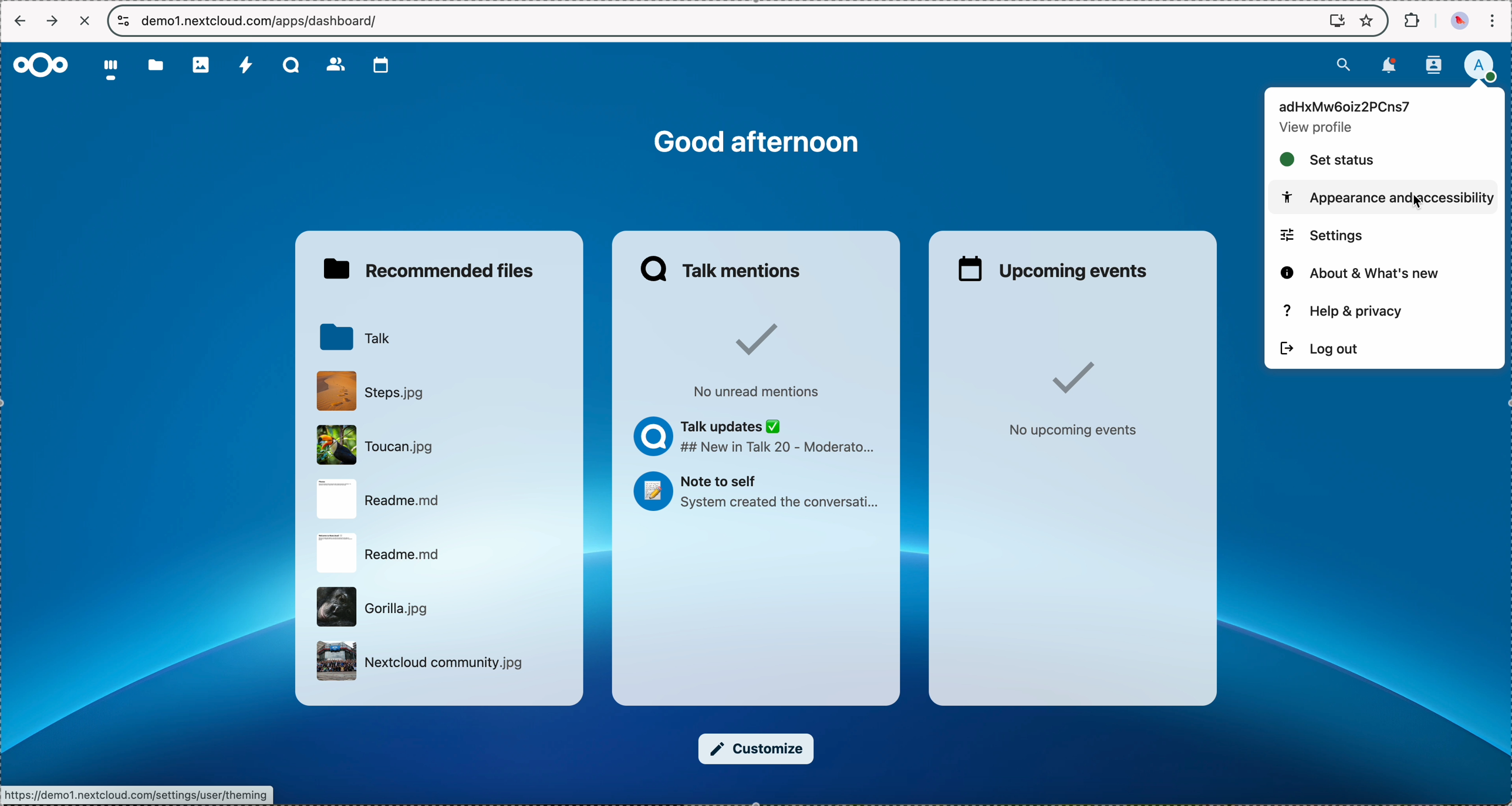 The height and width of the screenshot is (806, 1512). What do you see at coordinates (20, 20) in the screenshot?
I see `navigate back` at bounding box center [20, 20].